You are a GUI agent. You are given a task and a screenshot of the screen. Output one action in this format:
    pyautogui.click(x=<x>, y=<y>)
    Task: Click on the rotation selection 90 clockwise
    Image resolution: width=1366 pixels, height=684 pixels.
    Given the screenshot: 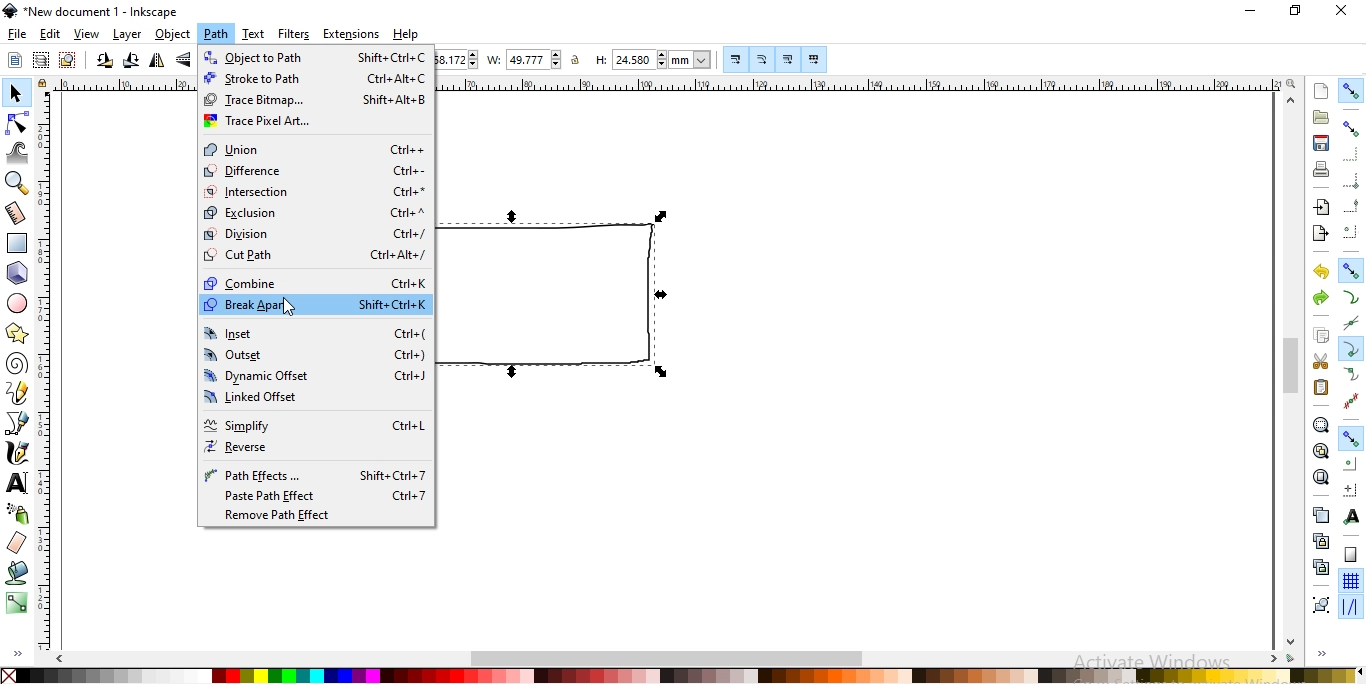 What is the action you would take?
    pyautogui.click(x=132, y=60)
    